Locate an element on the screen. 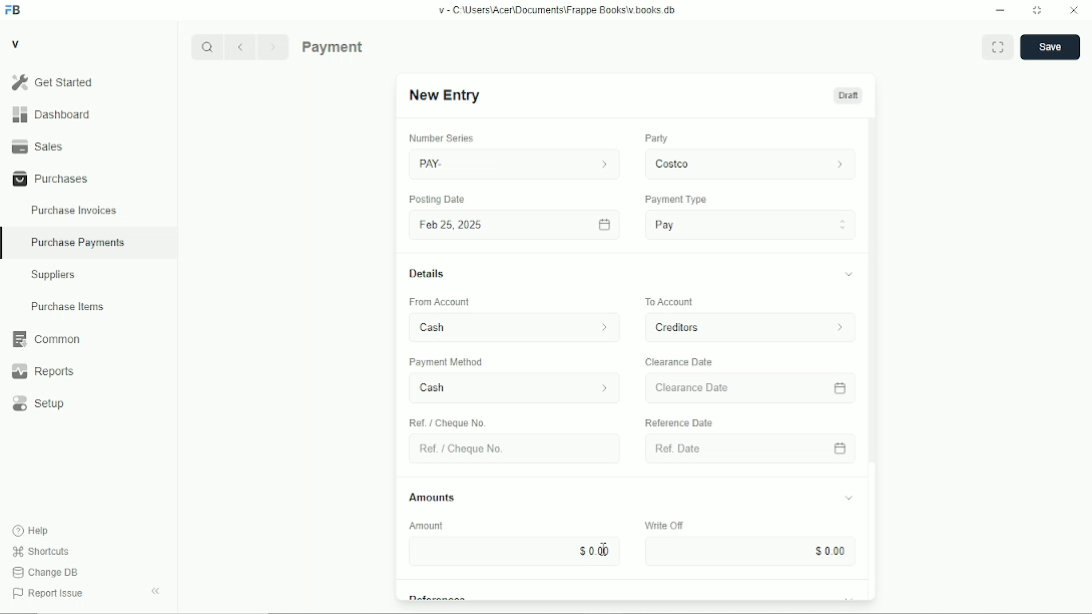  Posting Date is located at coordinates (438, 200).